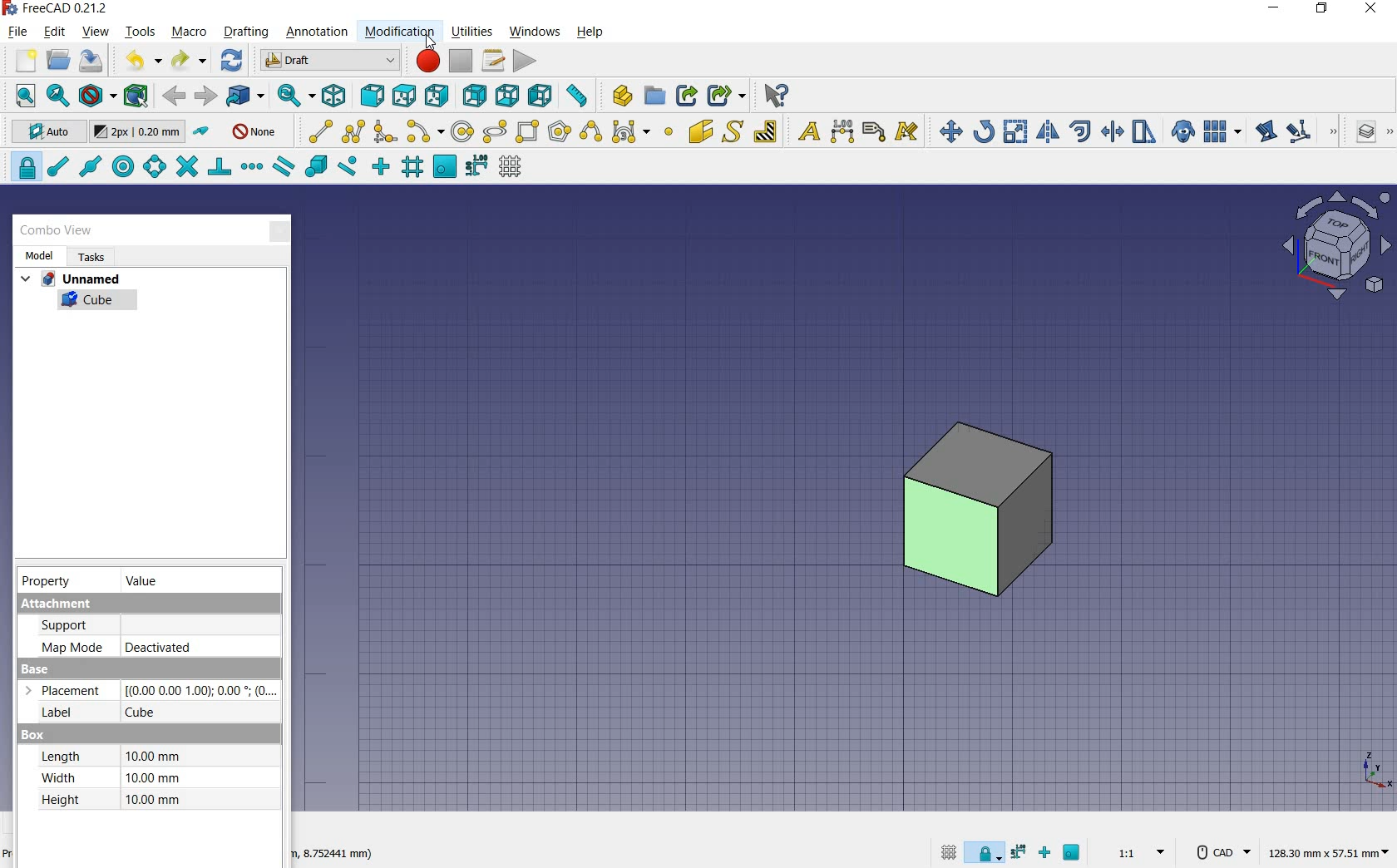 The image size is (1397, 868). Describe the element at coordinates (110, 756) in the screenshot. I see `Length: 10.00 mm` at that location.